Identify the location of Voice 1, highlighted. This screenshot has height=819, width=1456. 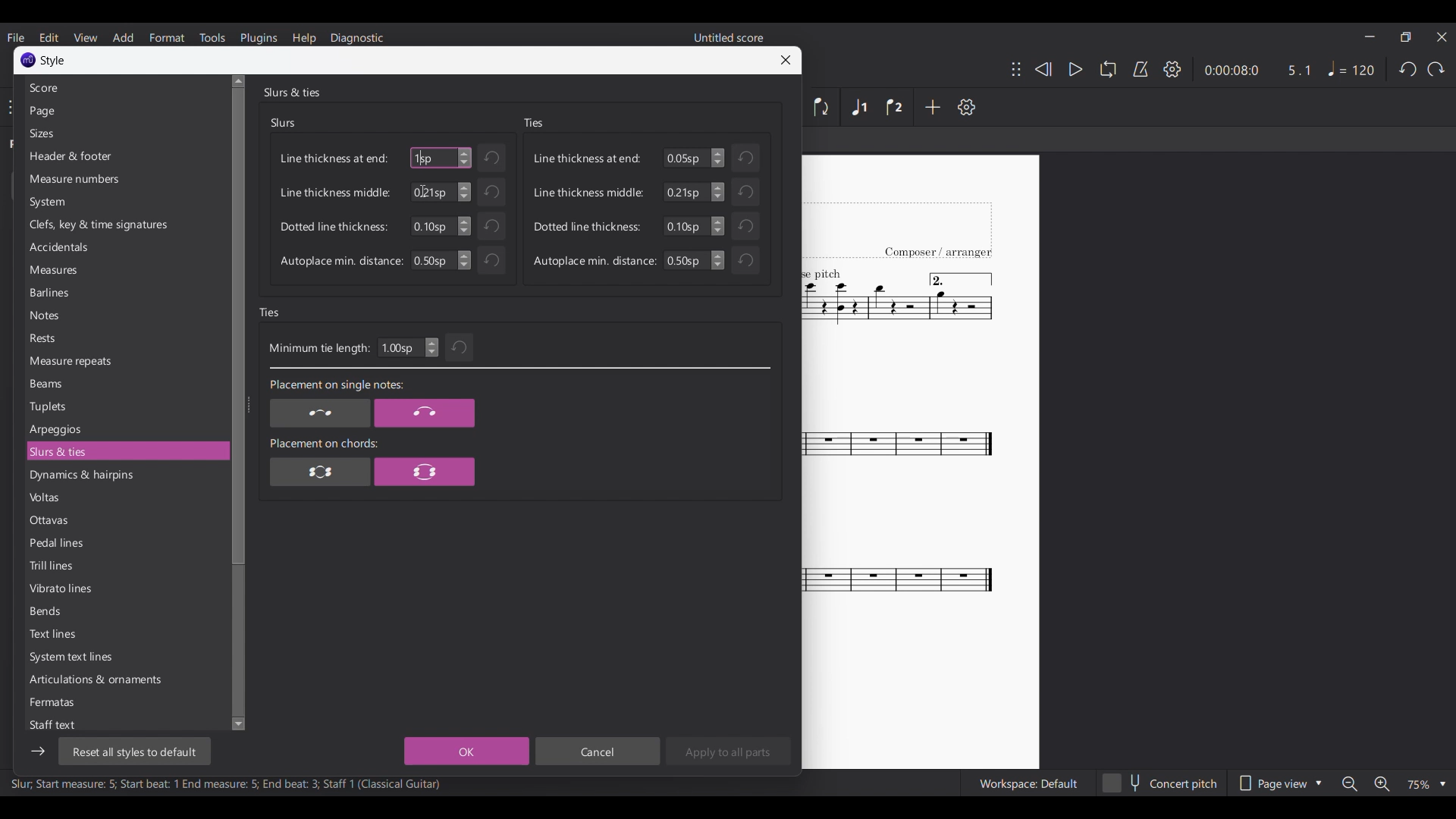
(860, 108).